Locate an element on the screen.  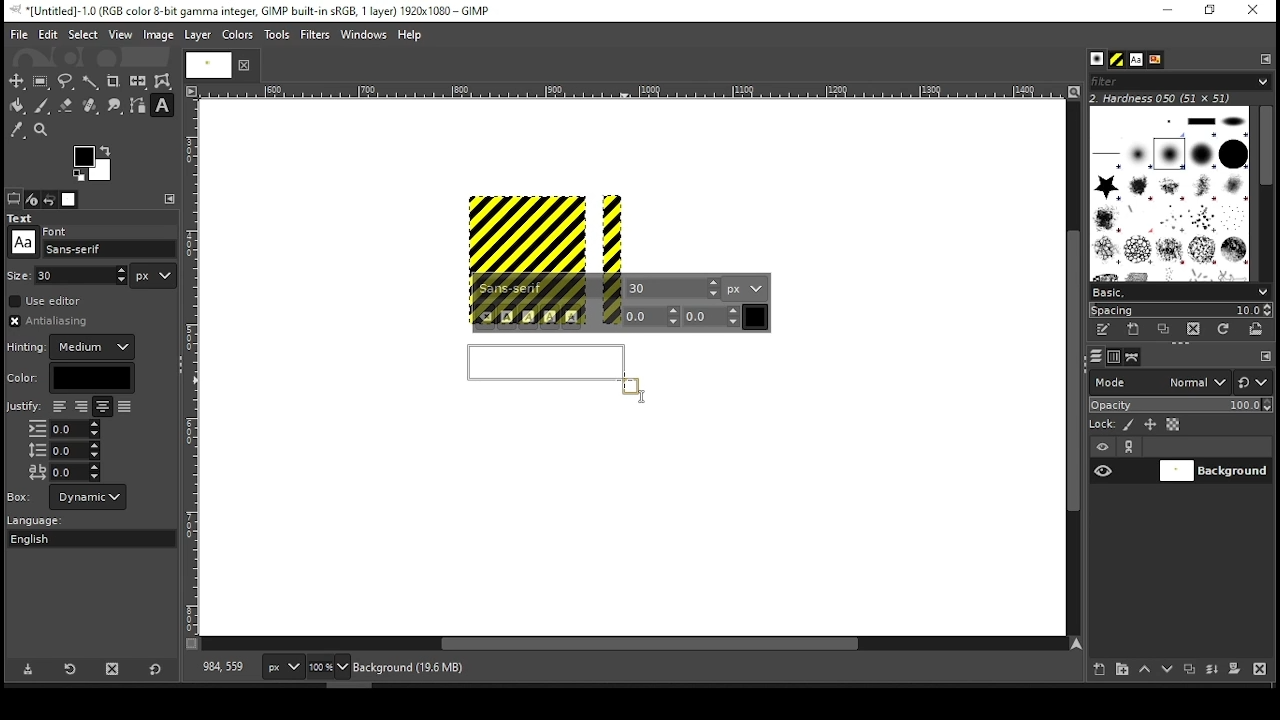
lock alpha channel is located at coordinates (1172, 425).